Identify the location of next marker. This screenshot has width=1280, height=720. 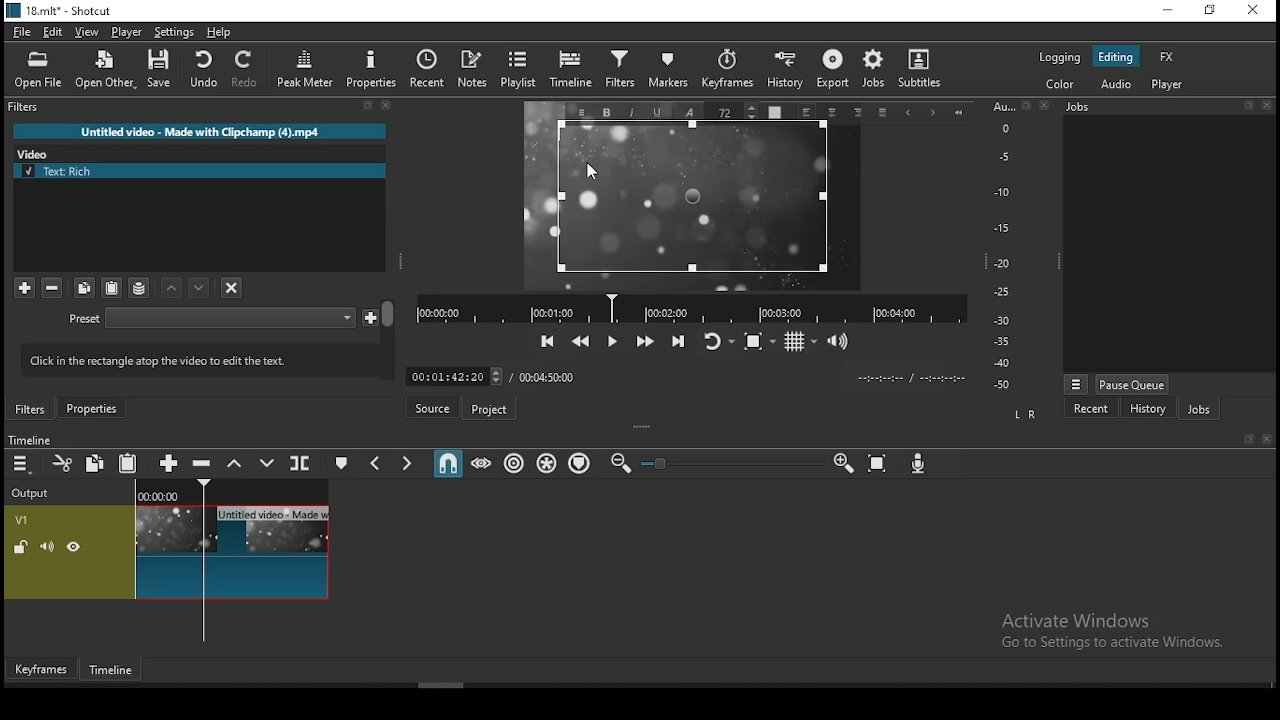
(407, 461).